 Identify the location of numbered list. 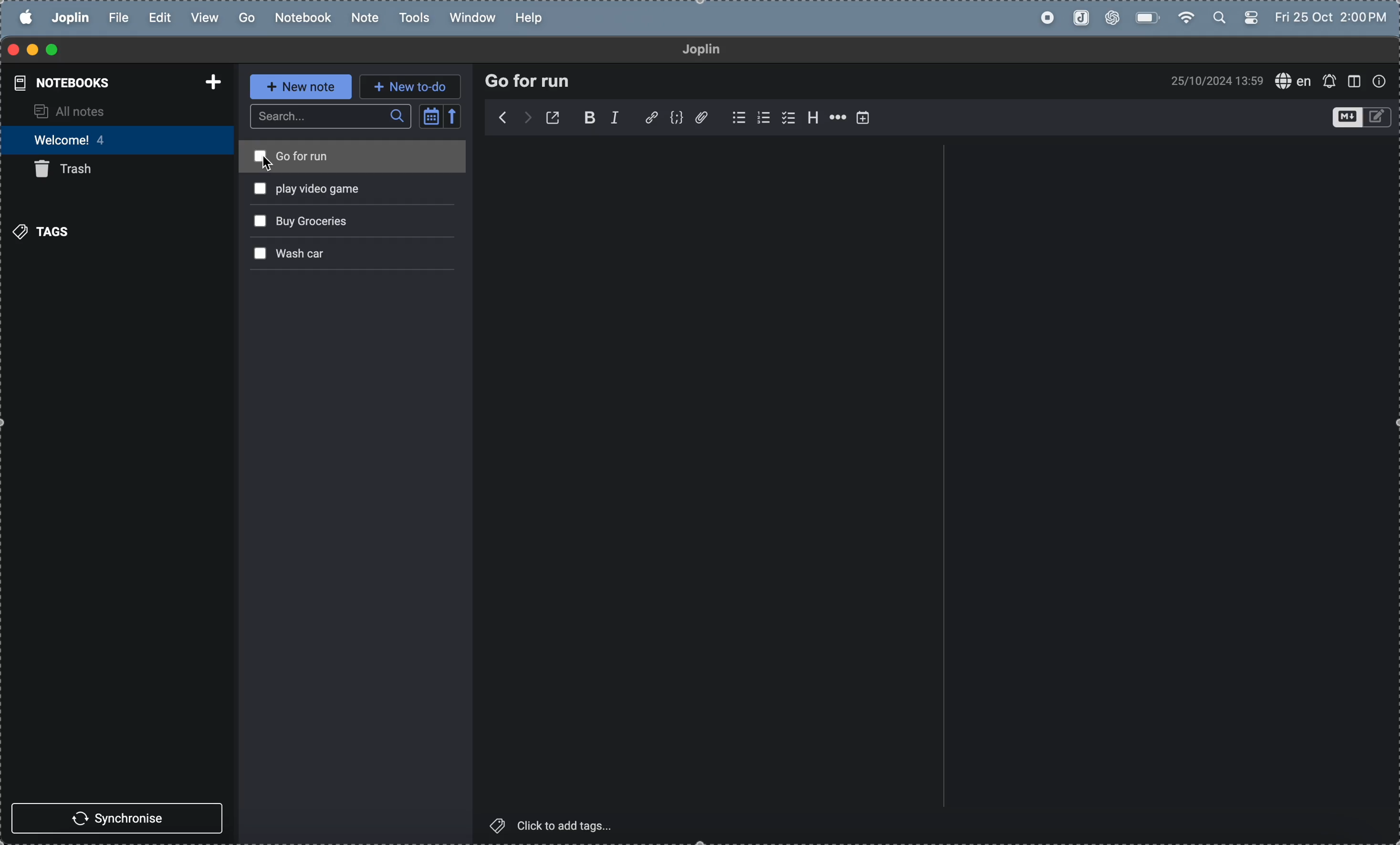
(761, 117).